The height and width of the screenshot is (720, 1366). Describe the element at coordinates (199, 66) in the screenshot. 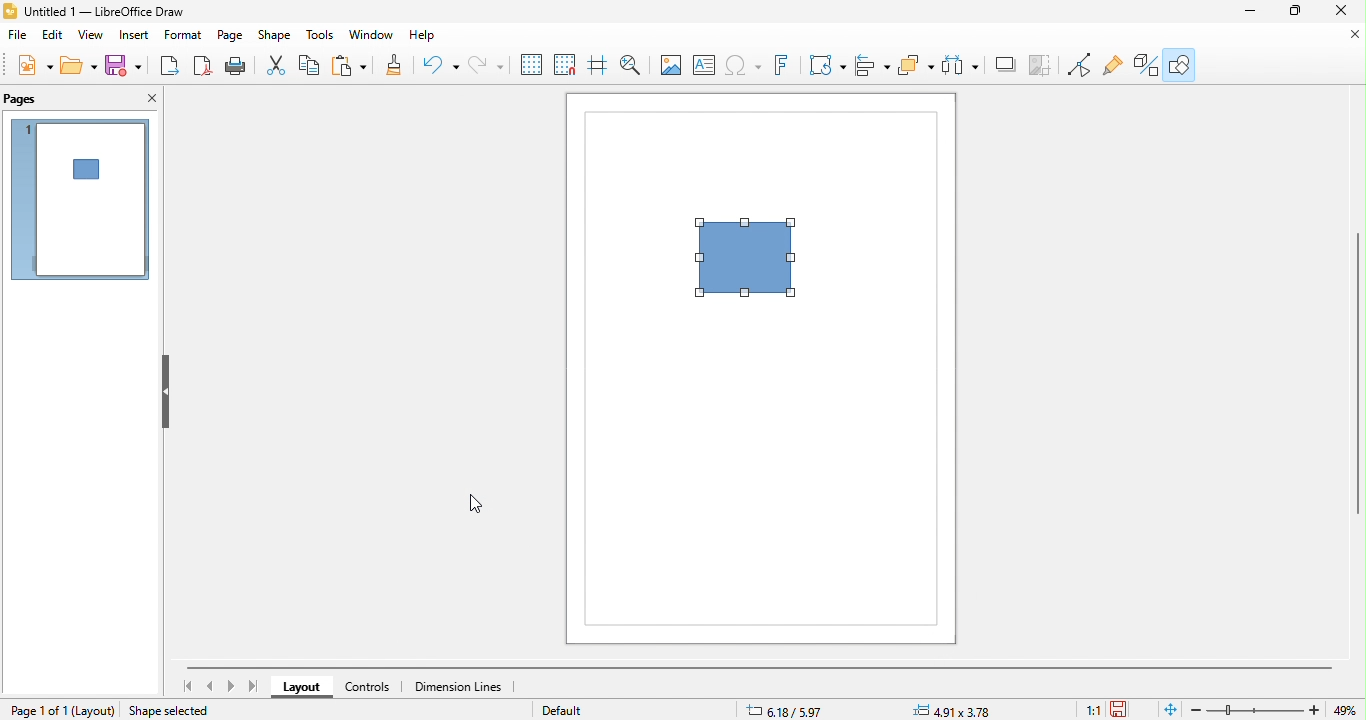

I see `export directly as pdf` at that location.